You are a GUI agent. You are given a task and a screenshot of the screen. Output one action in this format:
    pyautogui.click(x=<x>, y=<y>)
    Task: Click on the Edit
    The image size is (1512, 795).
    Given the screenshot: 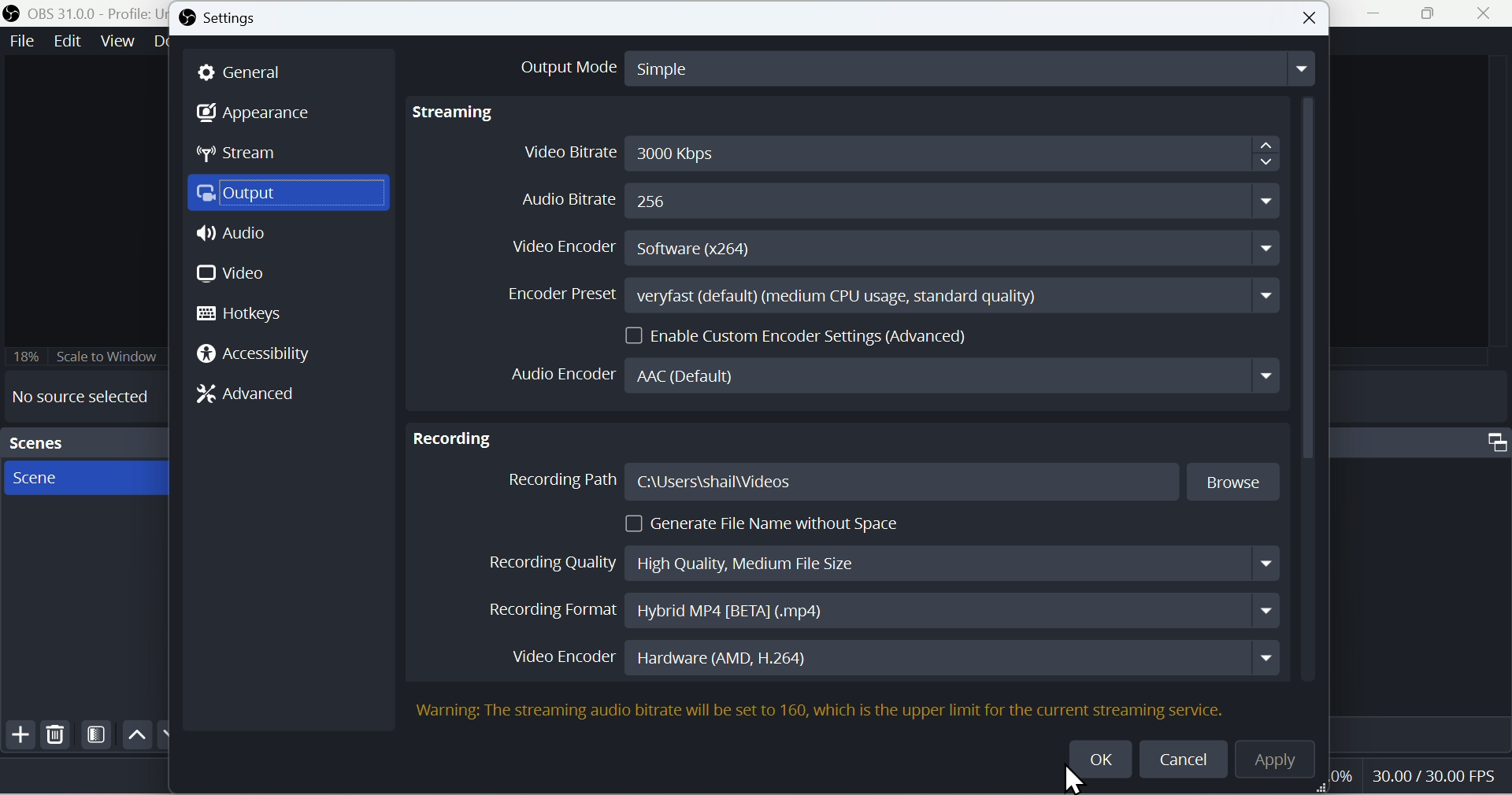 What is the action you would take?
    pyautogui.click(x=66, y=43)
    